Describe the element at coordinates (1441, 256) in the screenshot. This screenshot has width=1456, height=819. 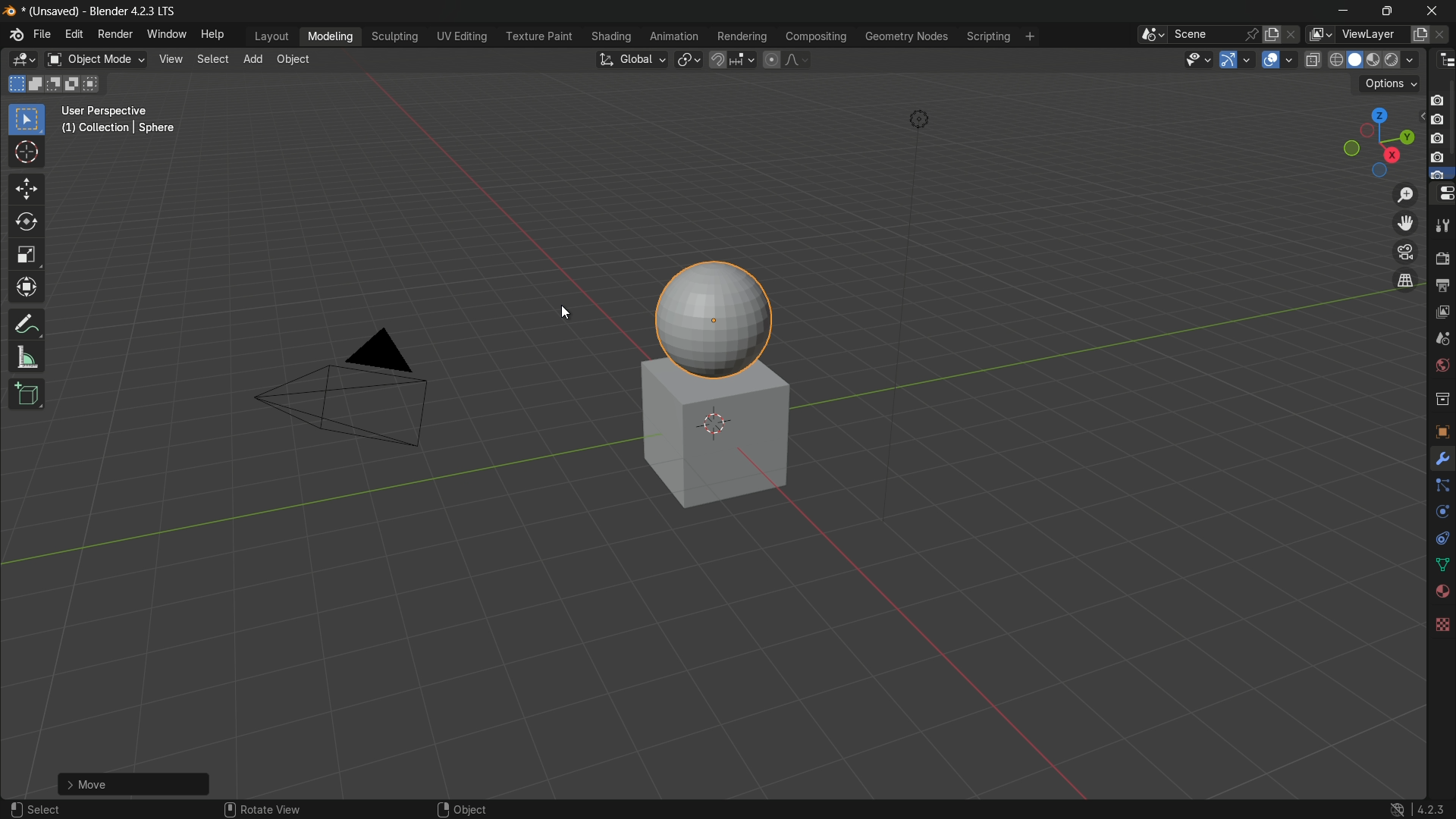
I see `render` at that location.